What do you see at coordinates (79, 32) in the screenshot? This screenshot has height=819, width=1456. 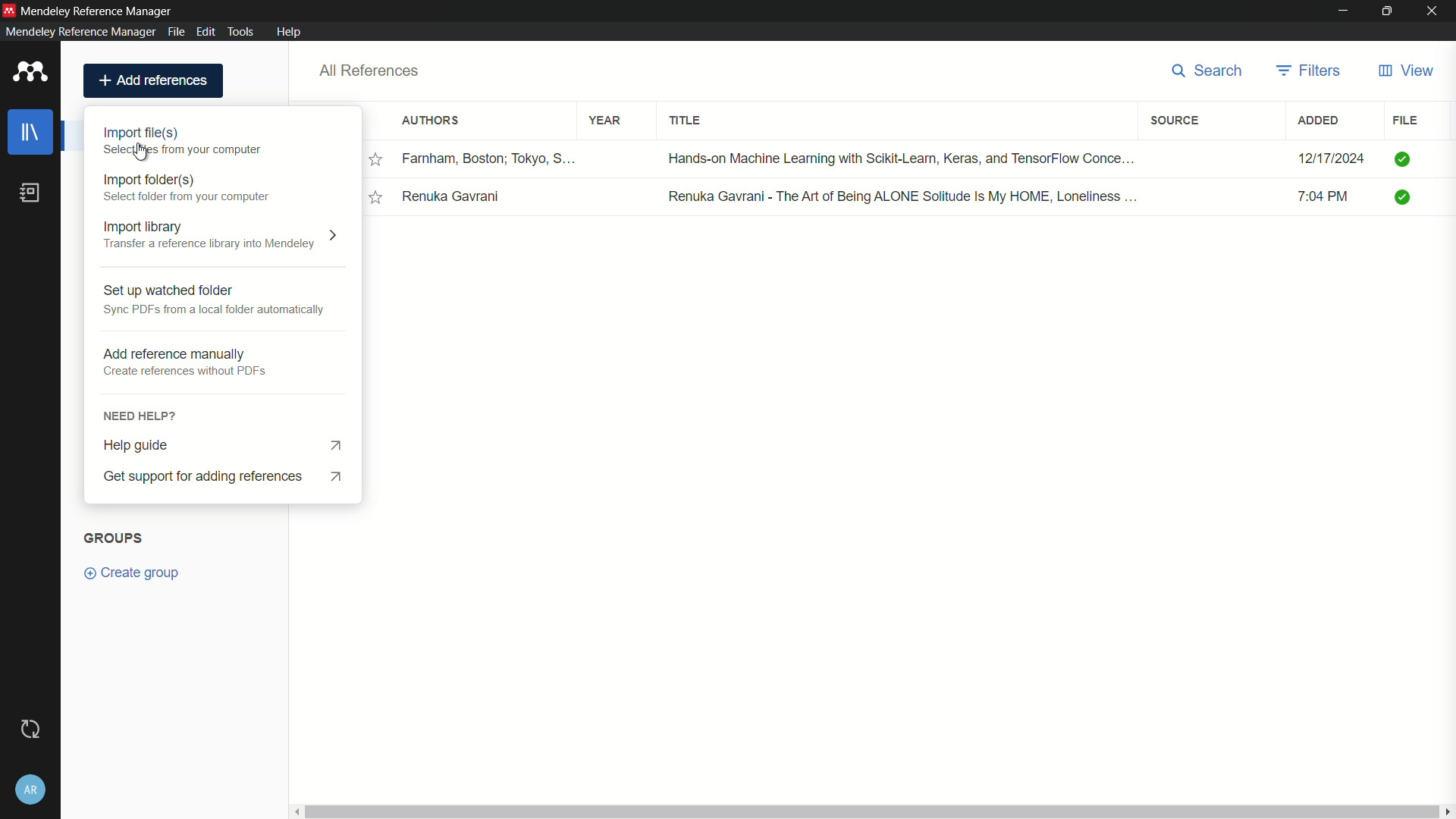 I see `mendeley reference manager` at bounding box center [79, 32].